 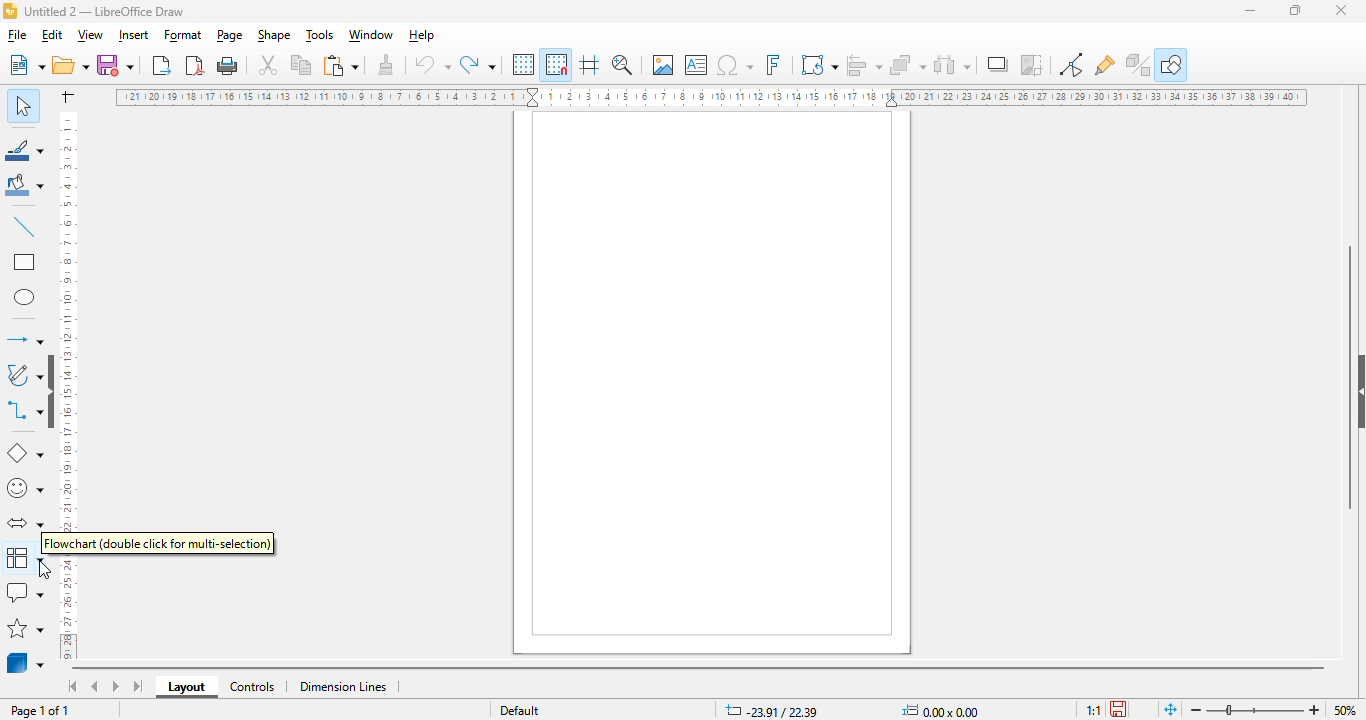 What do you see at coordinates (231, 36) in the screenshot?
I see `page` at bounding box center [231, 36].